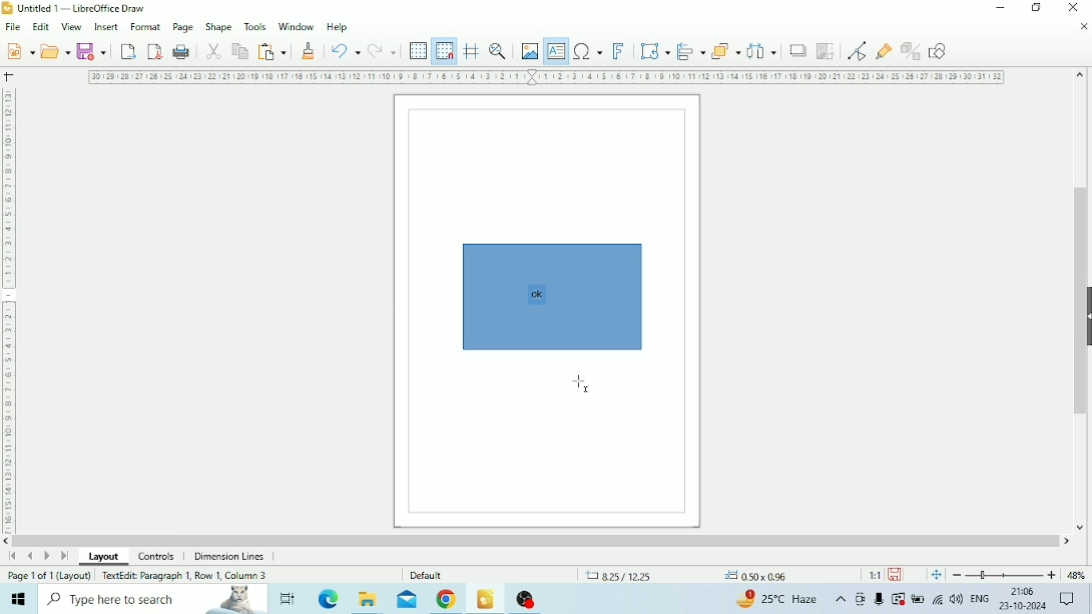  Describe the element at coordinates (554, 51) in the screenshot. I see `Insert Text Box` at that location.